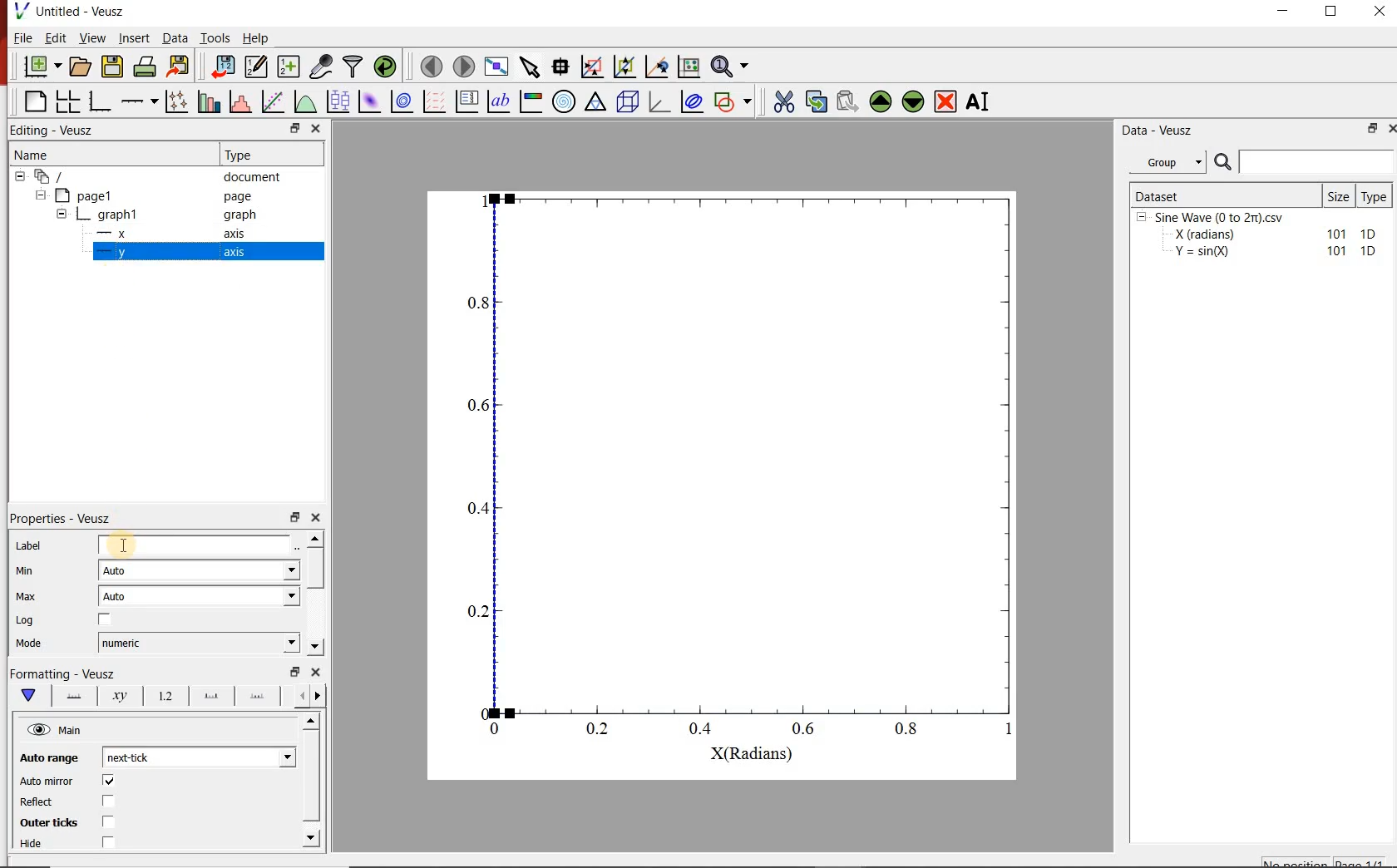 This screenshot has width=1397, height=868. I want to click on scrollbar, so click(317, 570).